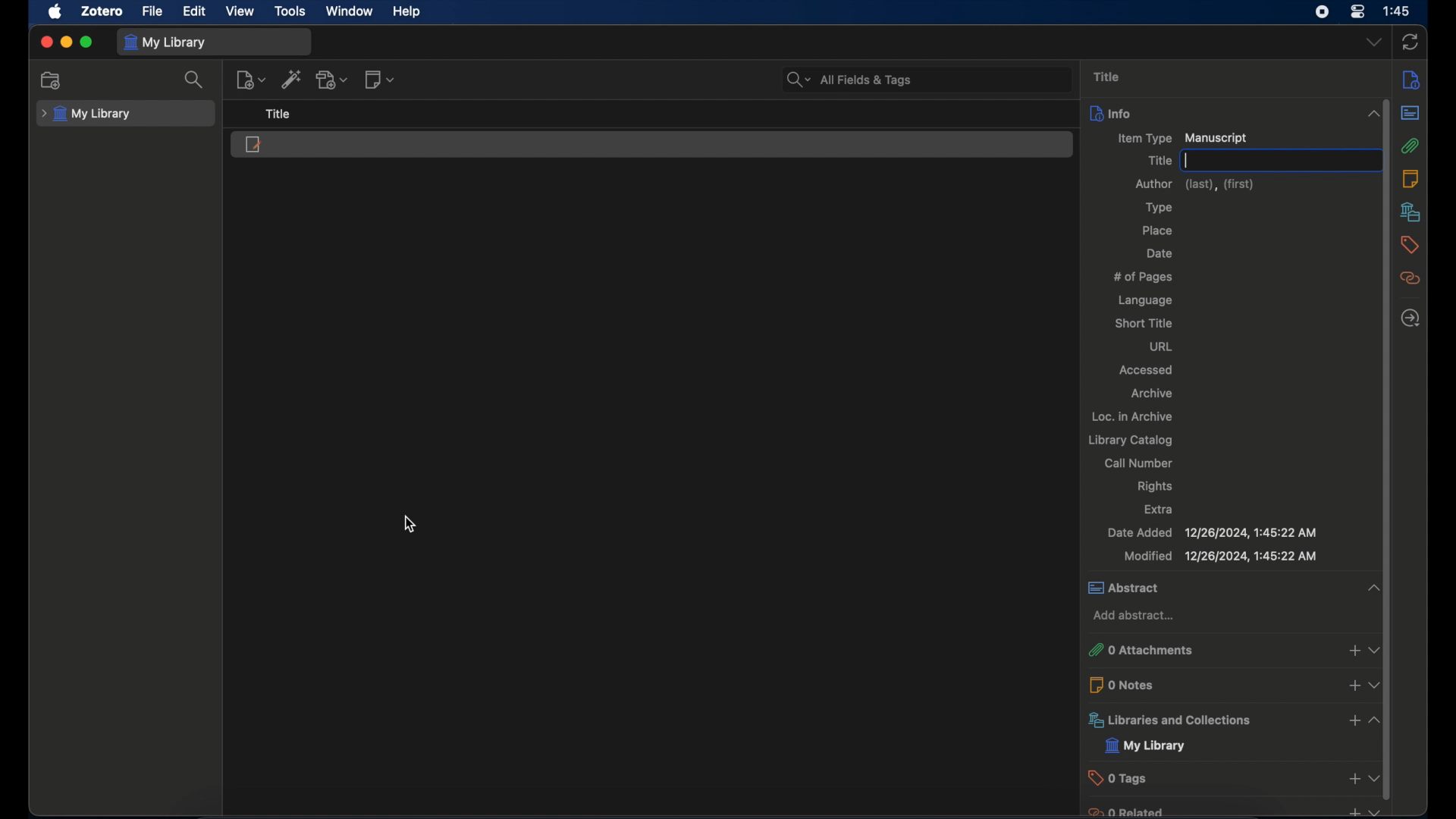  I want to click on rights, so click(1156, 487).